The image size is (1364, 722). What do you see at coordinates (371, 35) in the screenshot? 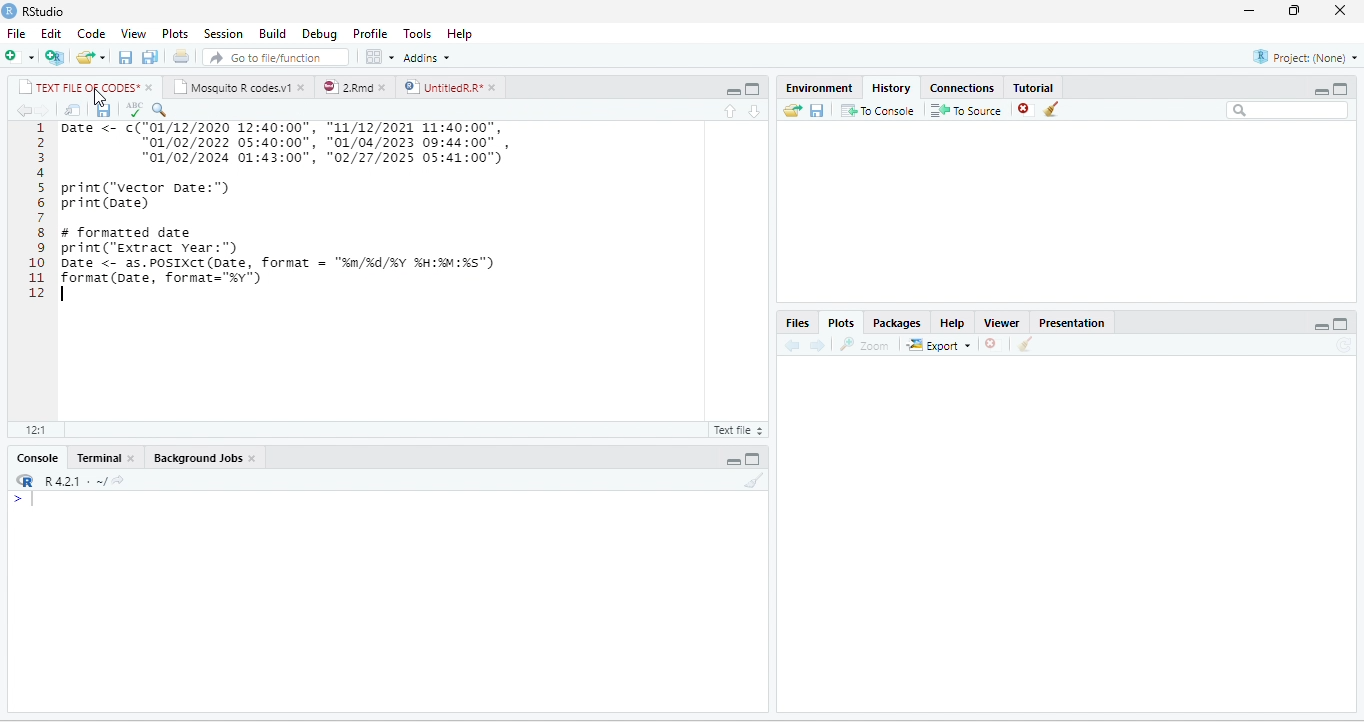
I see `Profile` at bounding box center [371, 35].